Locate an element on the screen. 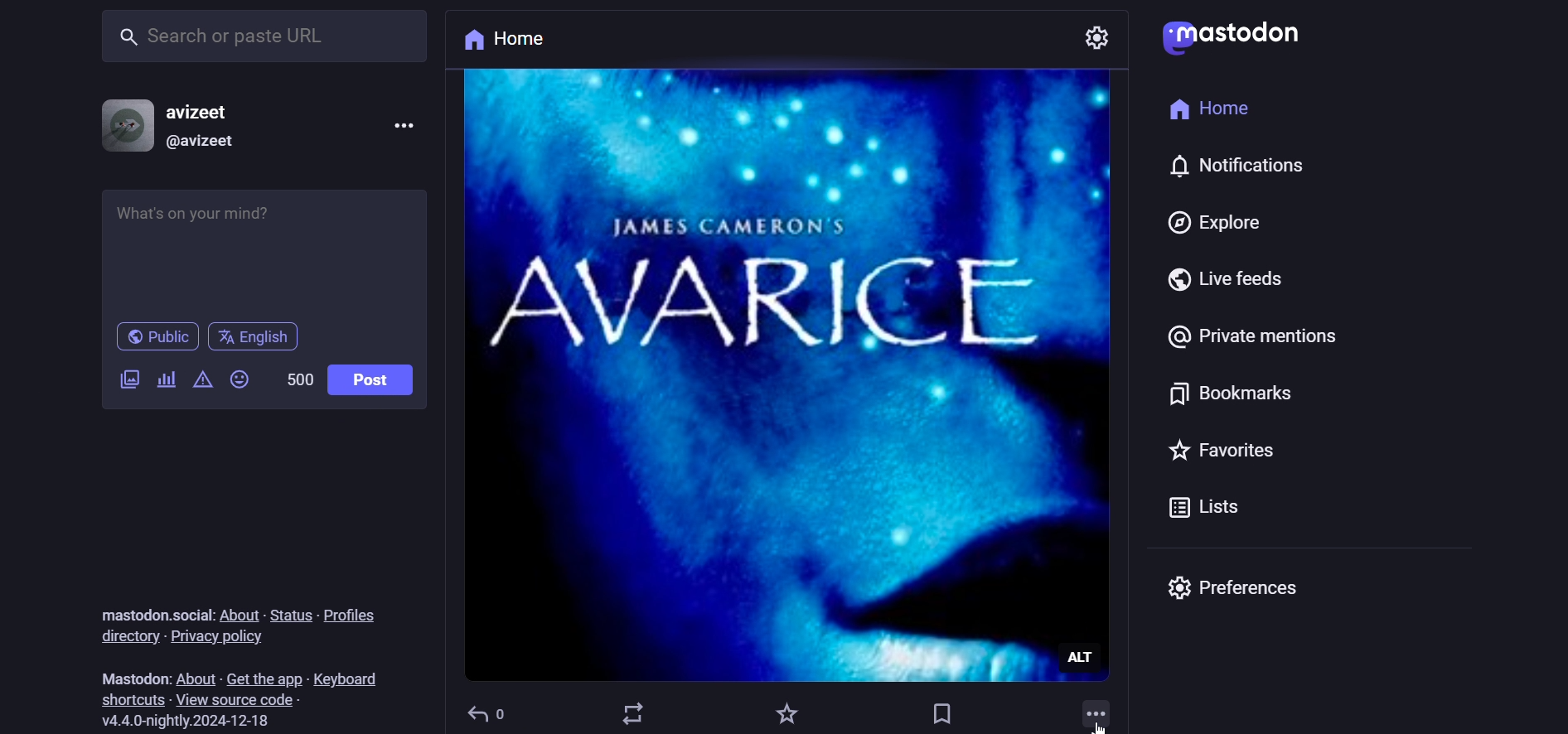  image/video is located at coordinates (128, 377).